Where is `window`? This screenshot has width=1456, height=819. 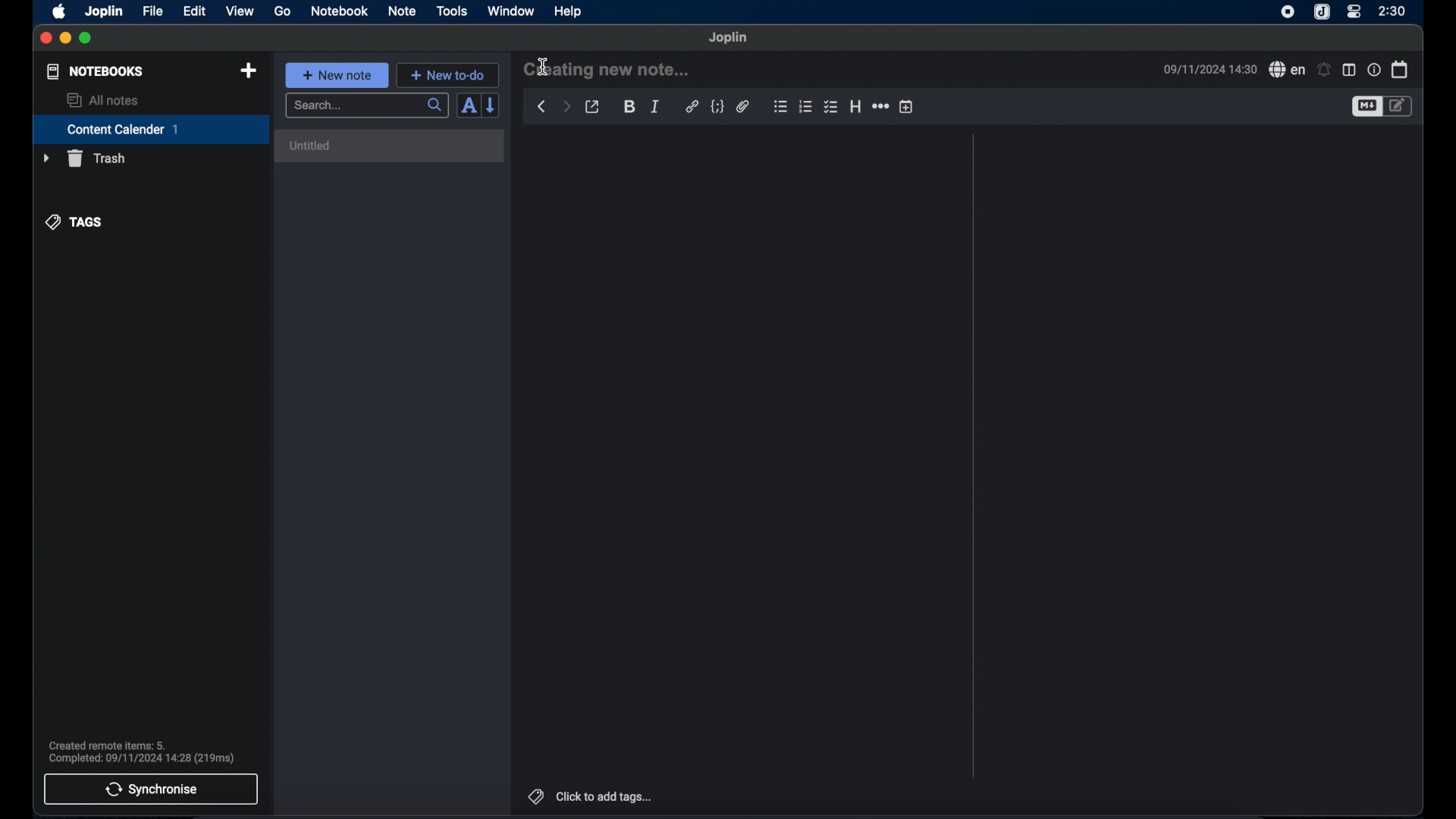
window is located at coordinates (511, 11).